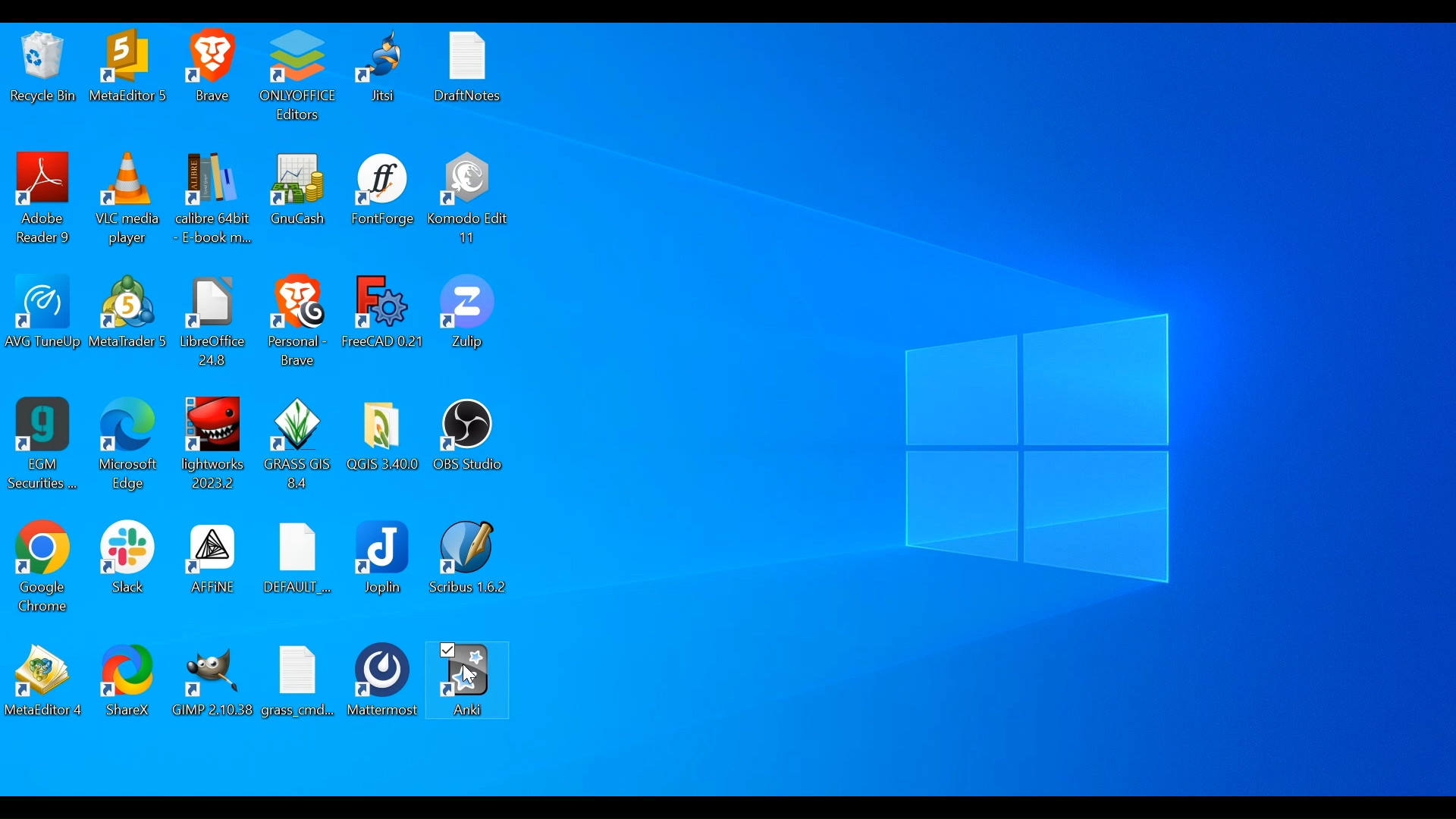  Describe the element at coordinates (126, 682) in the screenshot. I see `ShareX Desktop icon` at that location.